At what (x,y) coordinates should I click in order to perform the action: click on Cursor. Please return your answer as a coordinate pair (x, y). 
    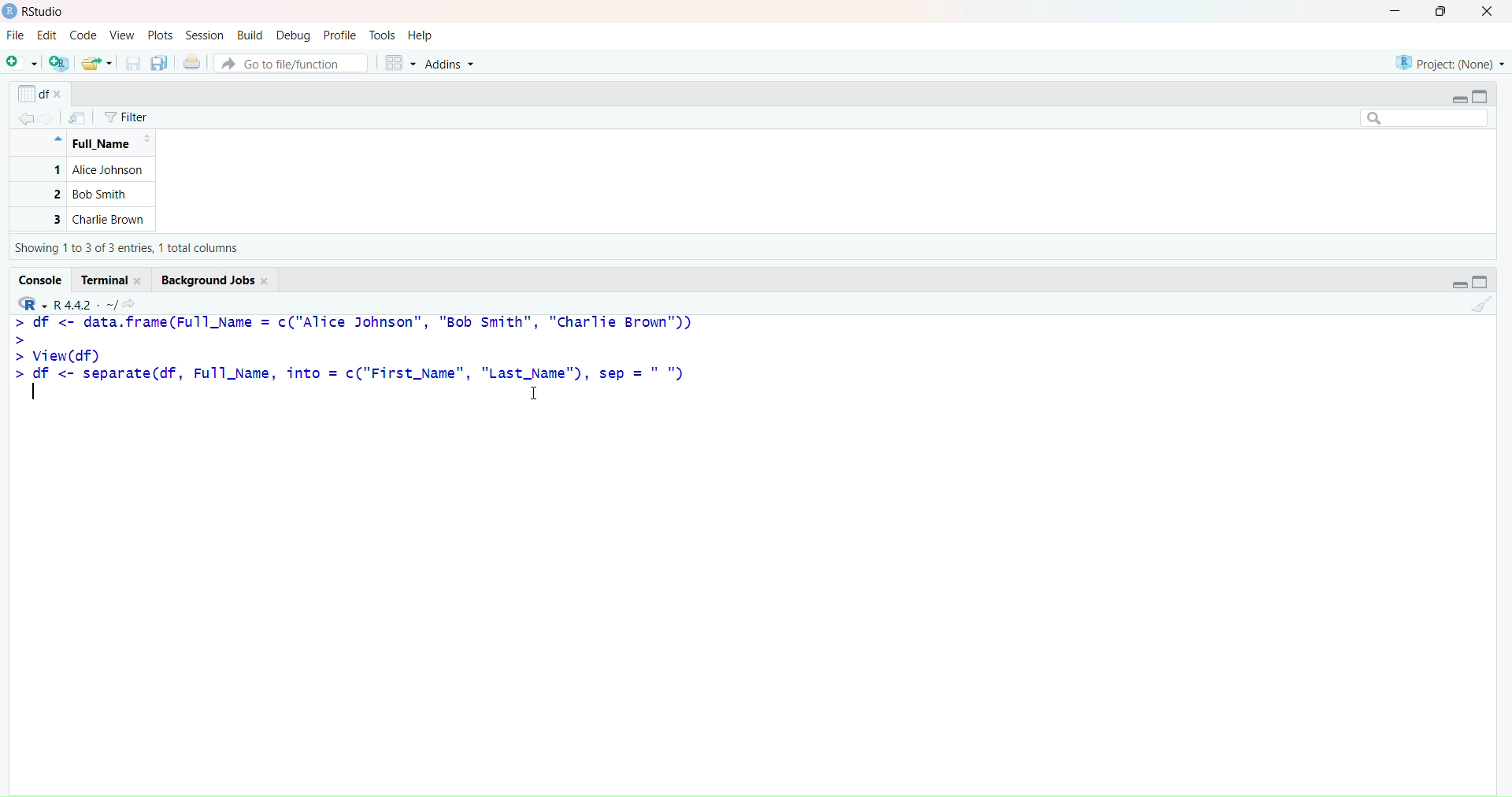
    Looking at the image, I should click on (543, 393).